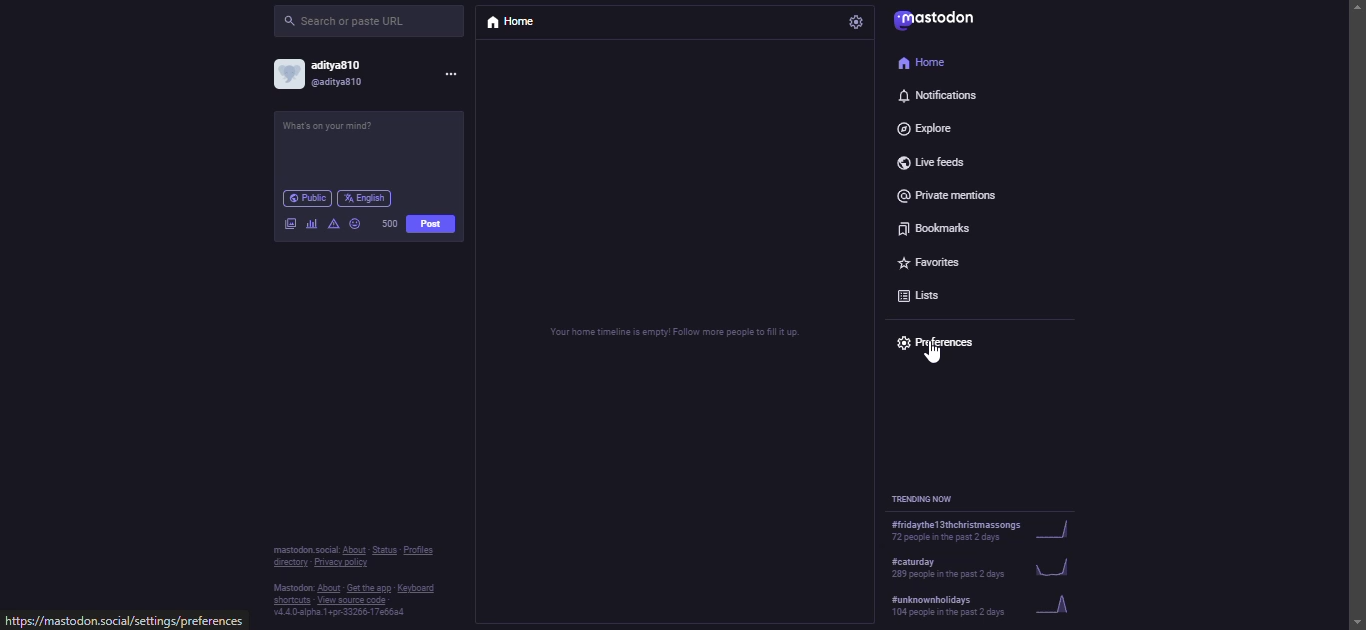  Describe the element at coordinates (944, 340) in the screenshot. I see `preferences` at that location.